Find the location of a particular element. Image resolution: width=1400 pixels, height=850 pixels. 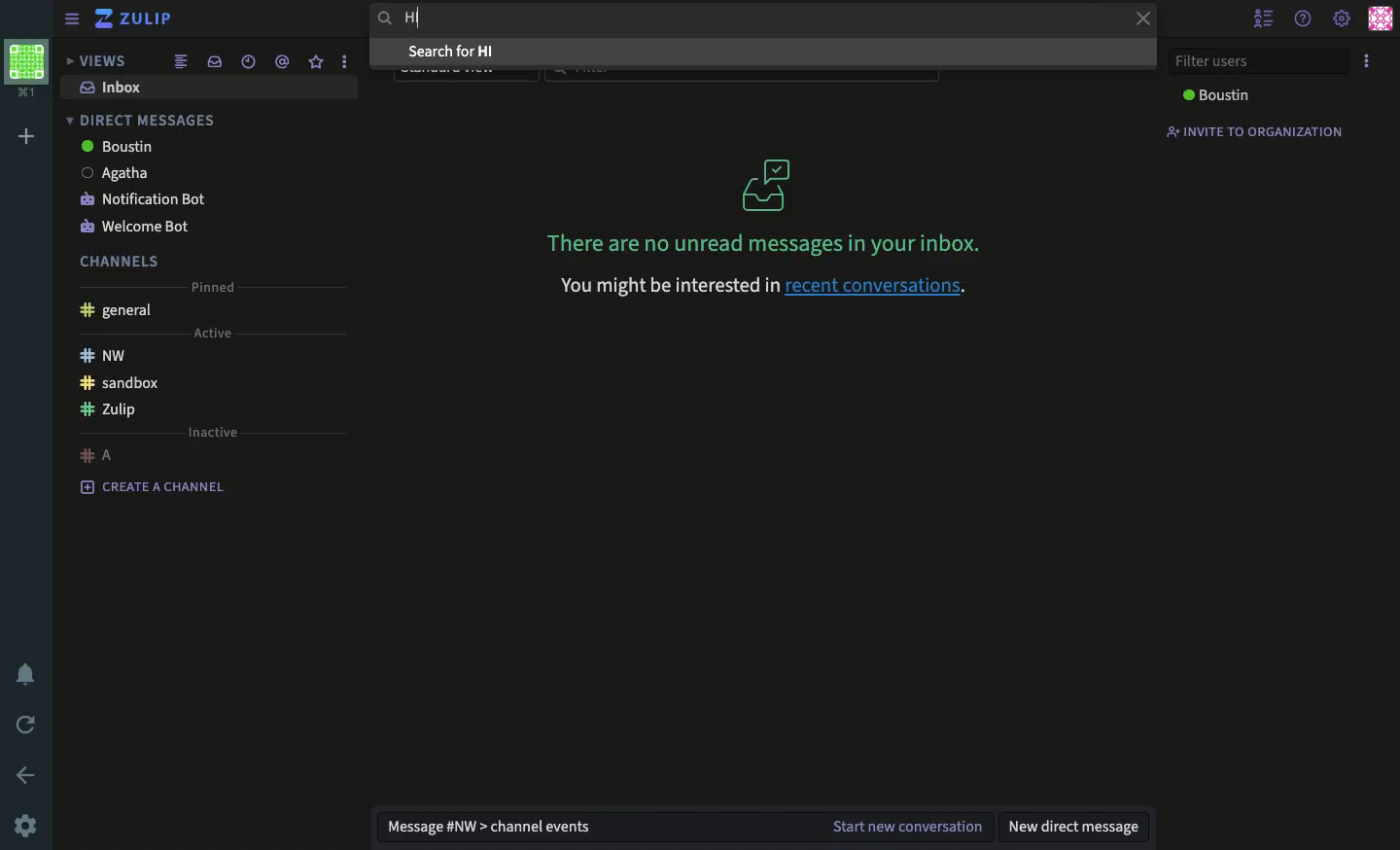

hi is located at coordinates (412, 20).